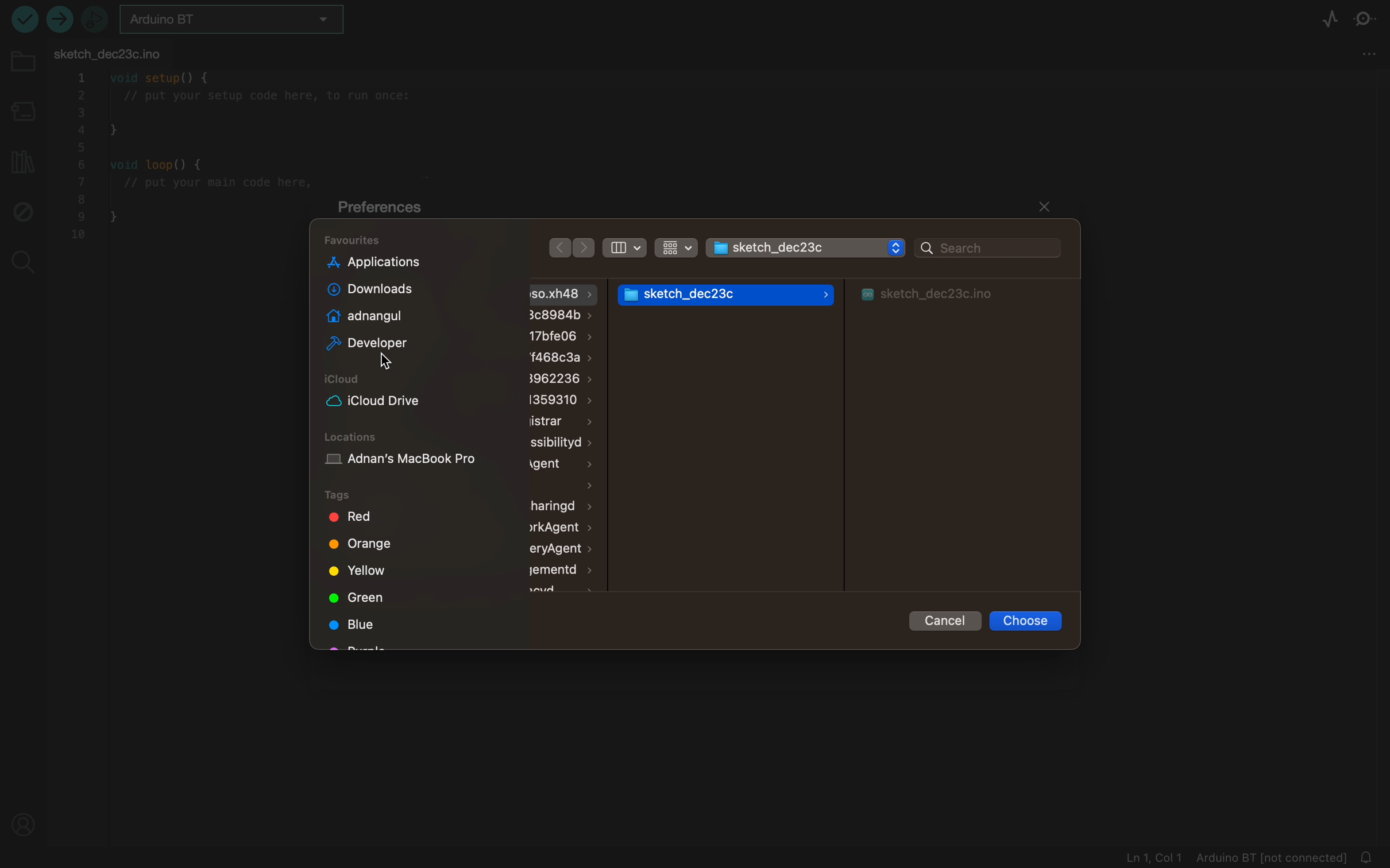 This screenshot has width=1390, height=868. Describe the element at coordinates (64, 18) in the screenshot. I see `upload` at that location.